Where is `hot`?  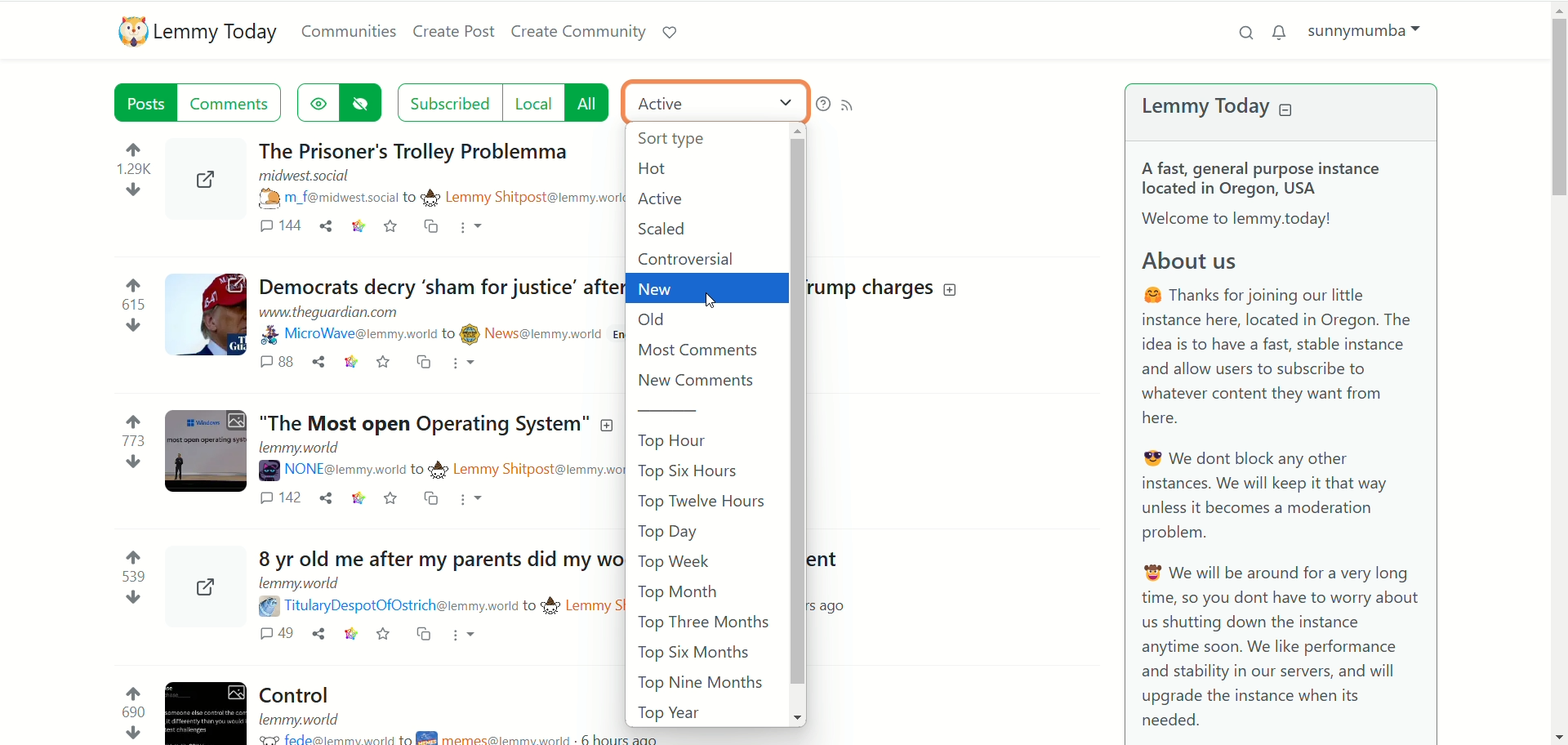
hot is located at coordinates (651, 168).